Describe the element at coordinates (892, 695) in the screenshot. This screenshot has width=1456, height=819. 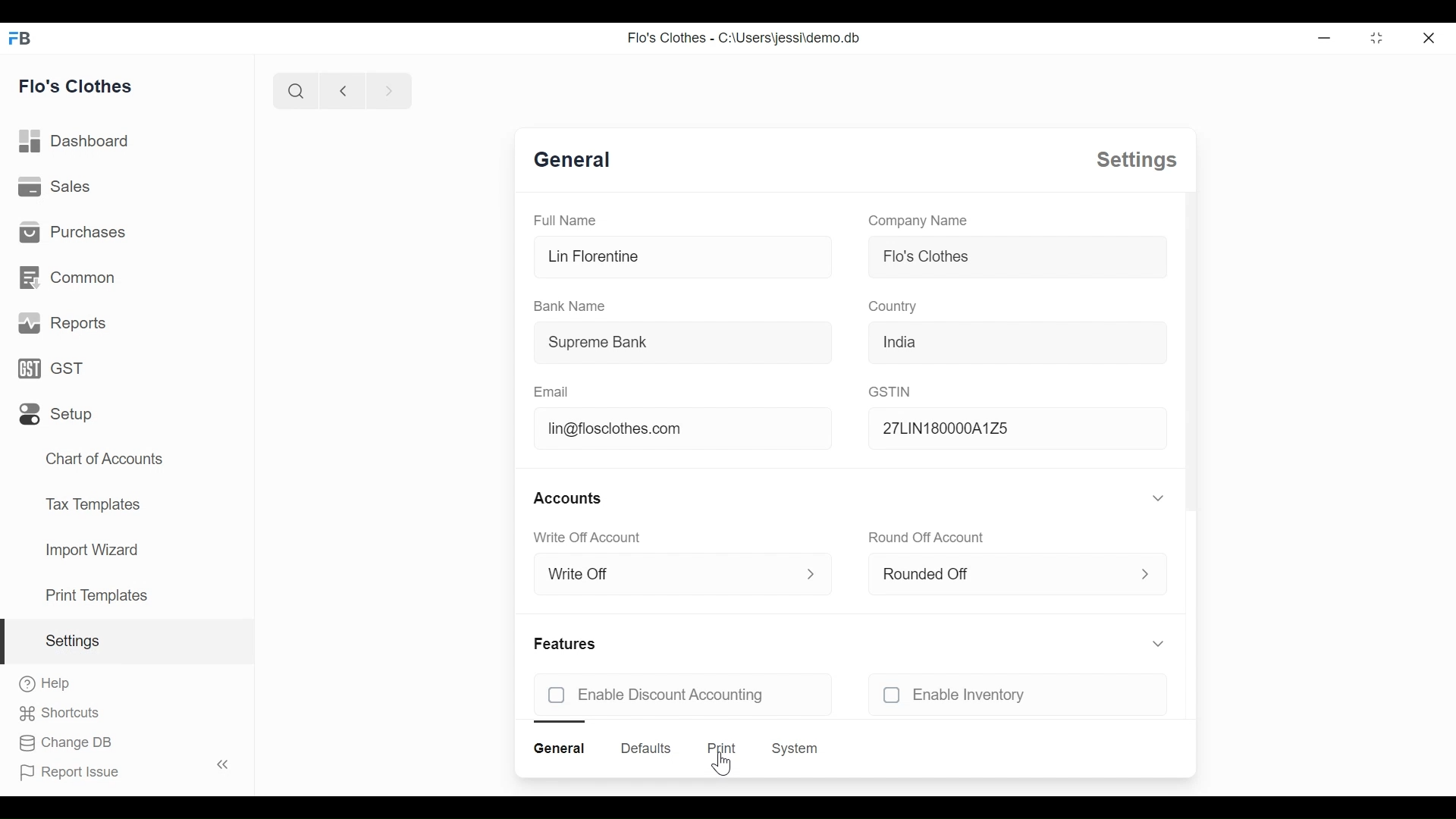
I see `checkbox` at that location.